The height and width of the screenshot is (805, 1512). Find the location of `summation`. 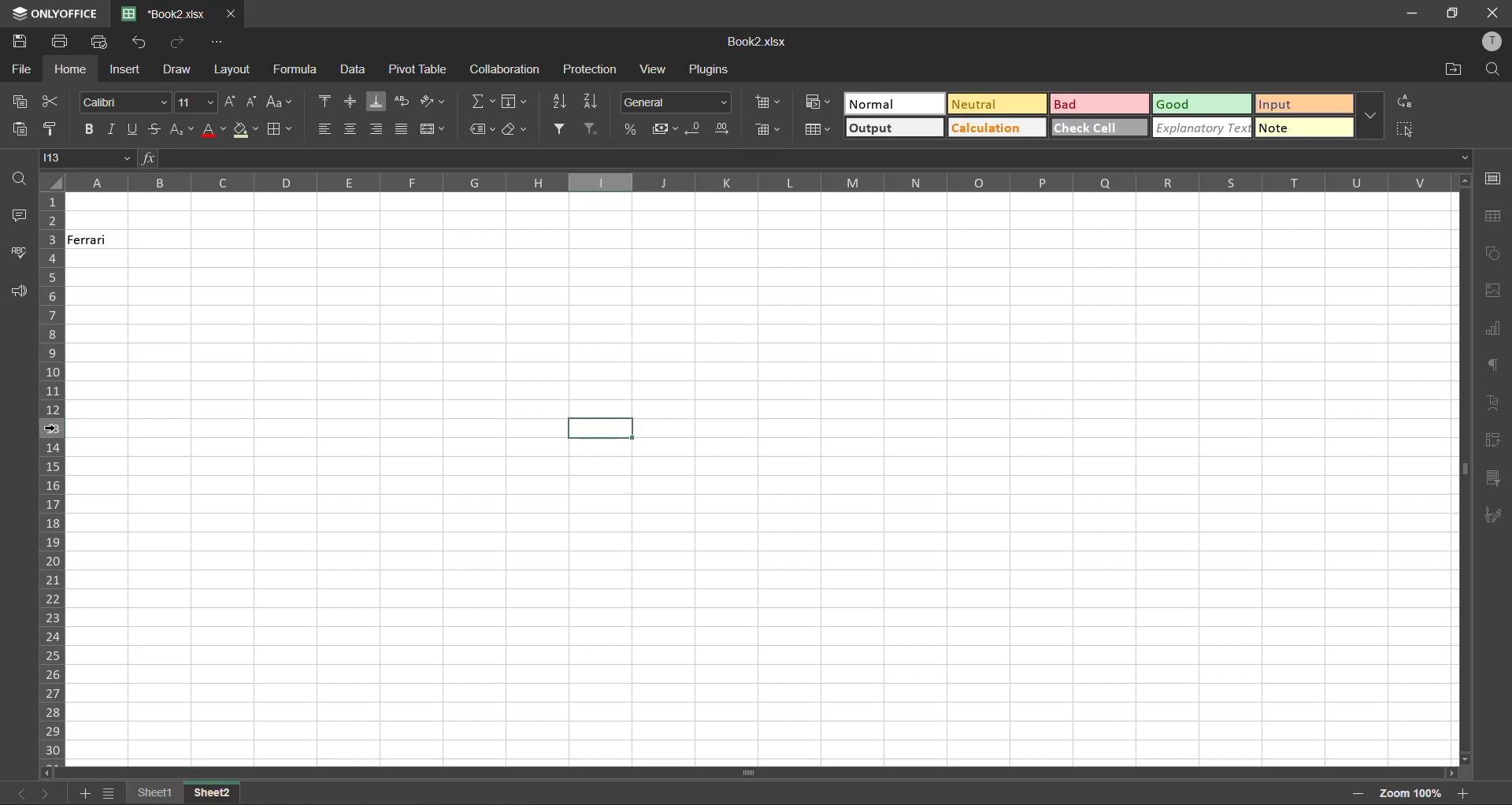

summation is located at coordinates (482, 101).